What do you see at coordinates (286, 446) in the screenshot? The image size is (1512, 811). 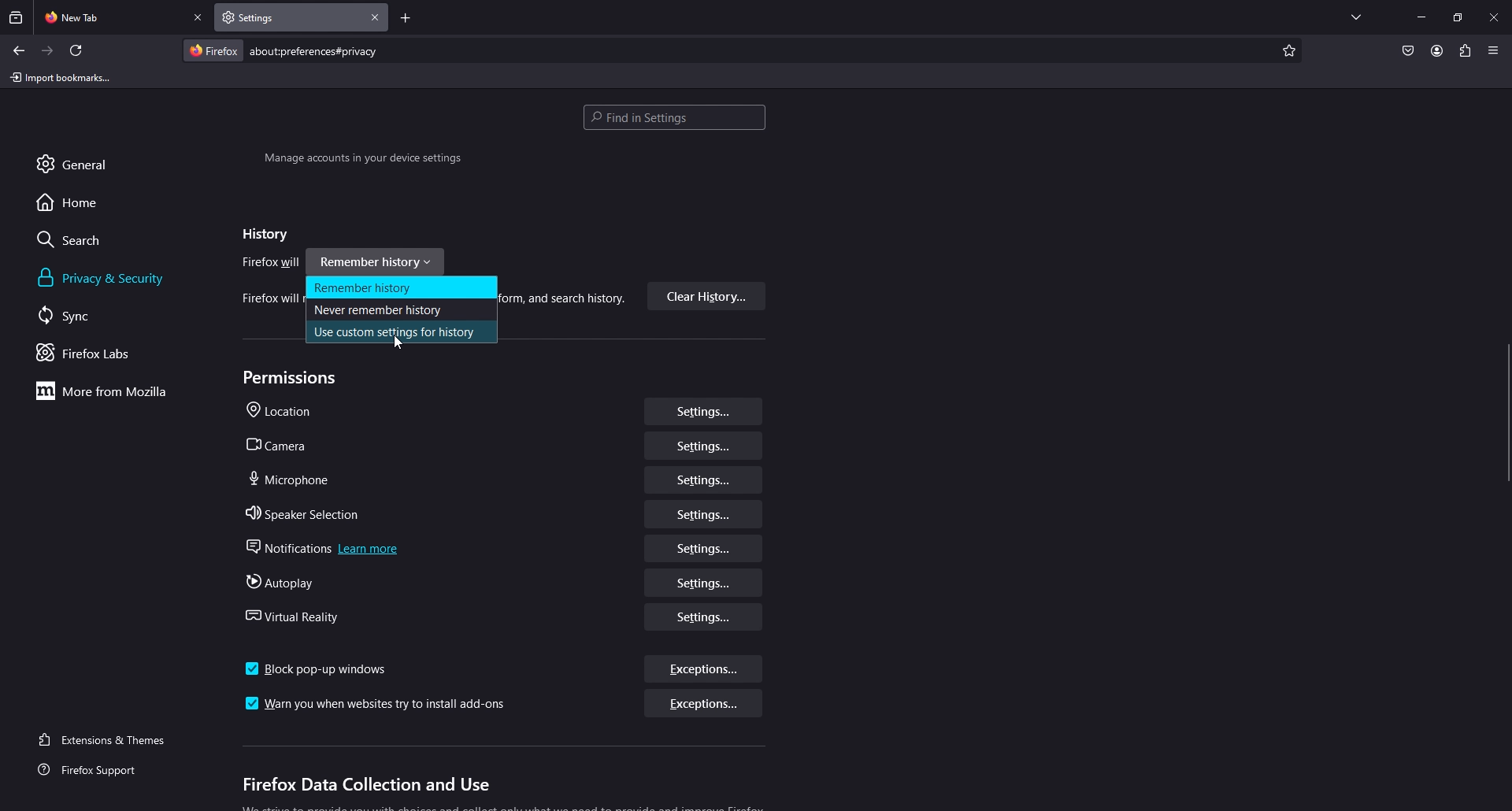 I see `camera` at bounding box center [286, 446].